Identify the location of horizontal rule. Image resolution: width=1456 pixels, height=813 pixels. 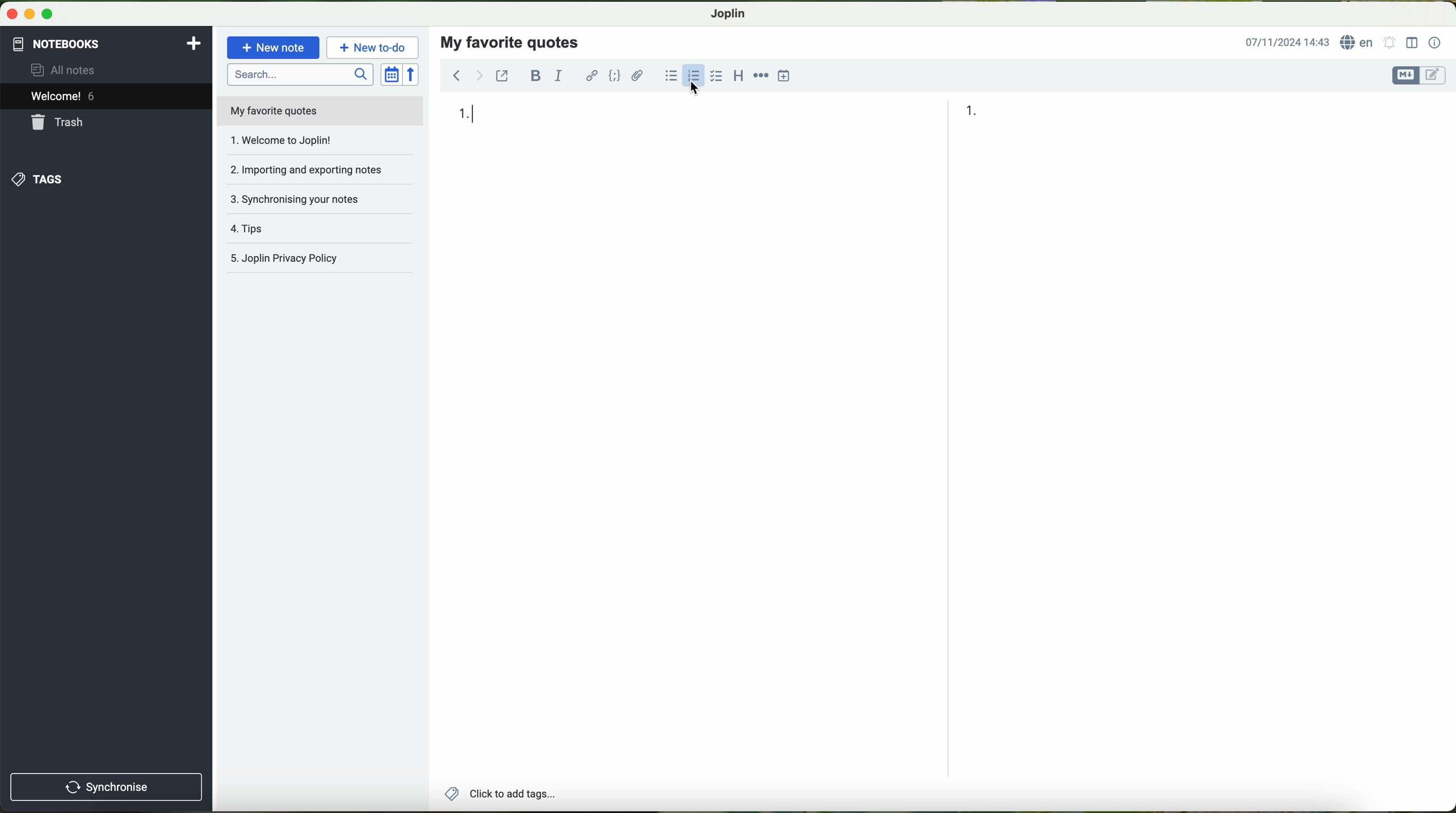
(761, 76).